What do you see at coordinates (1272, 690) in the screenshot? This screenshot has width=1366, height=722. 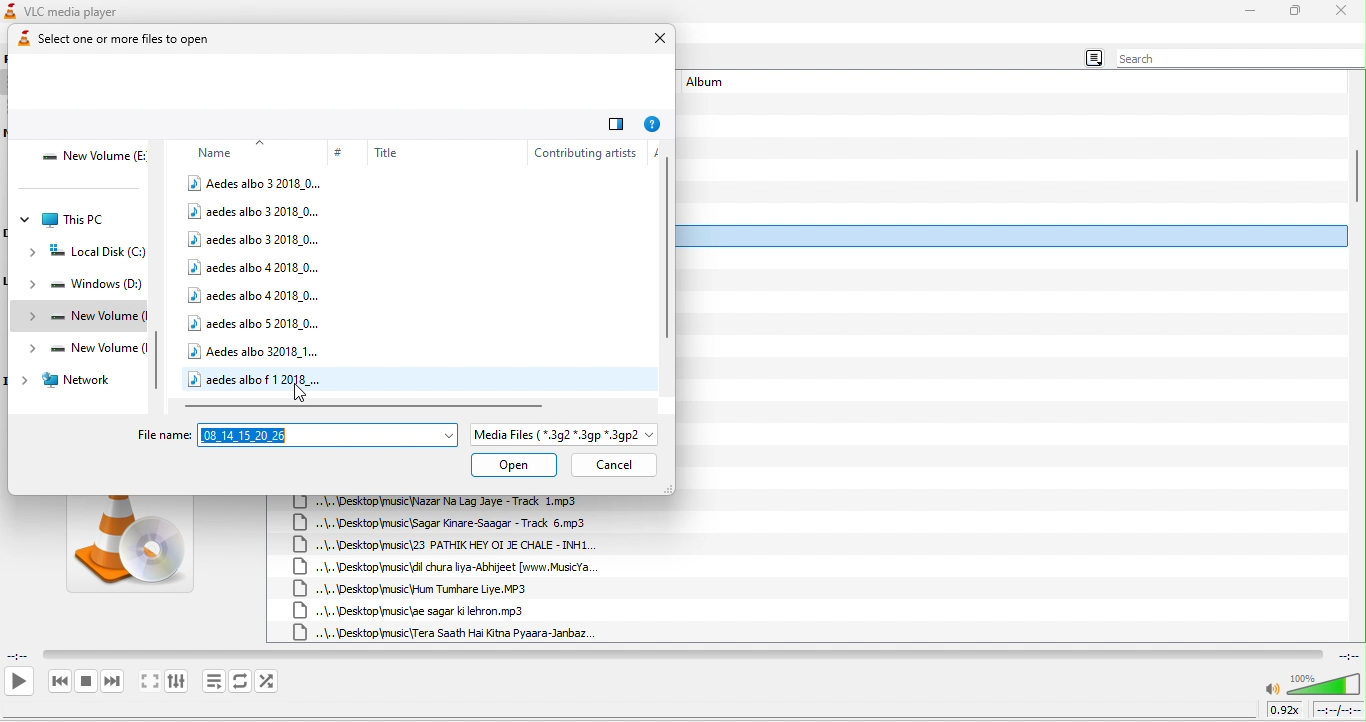 I see `mute/unmute` at bounding box center [1272, 690].